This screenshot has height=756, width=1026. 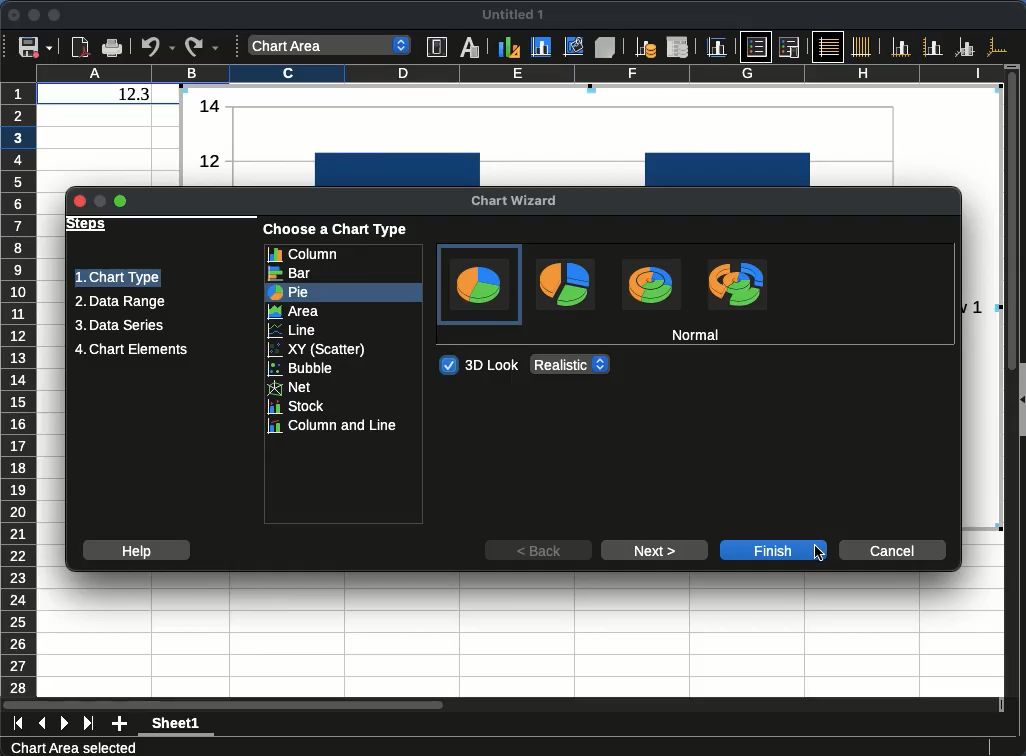 I want to click on steps, so click(x=87, y=225).